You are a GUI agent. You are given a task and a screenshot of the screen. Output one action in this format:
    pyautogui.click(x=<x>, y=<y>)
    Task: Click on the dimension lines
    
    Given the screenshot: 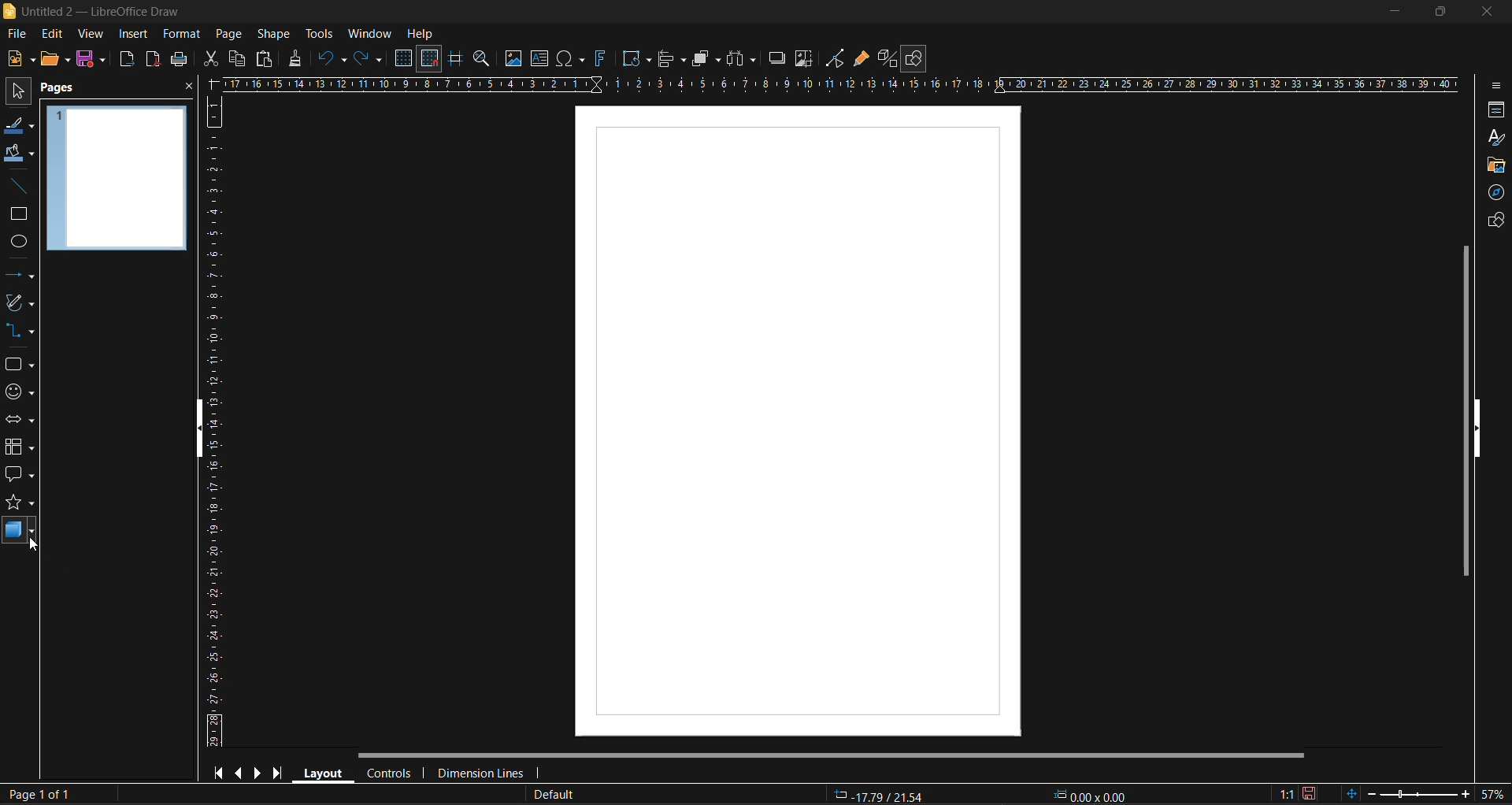 What is the action you would take?
    pyautogui.click(x=481, y=770)
    